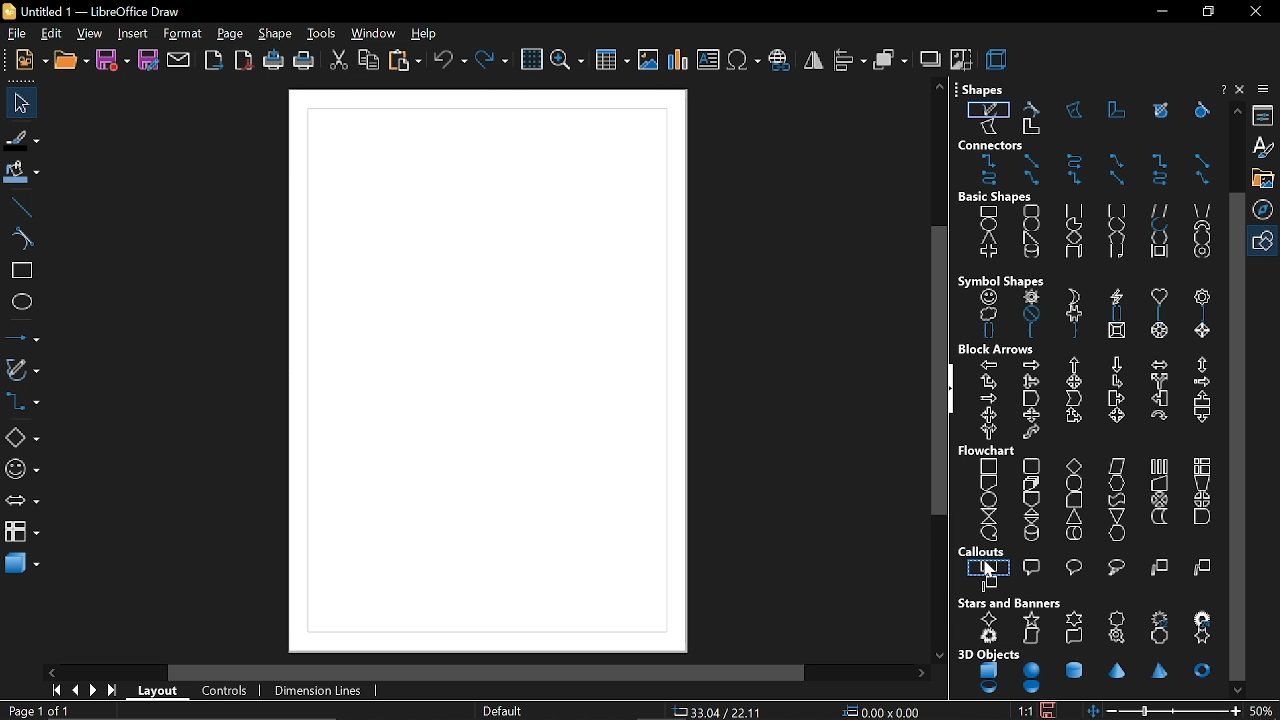 The image size is (1280, 720). Describe the element at coordinates (1073, 400) in the screenshot. I see `chevron` at that location.